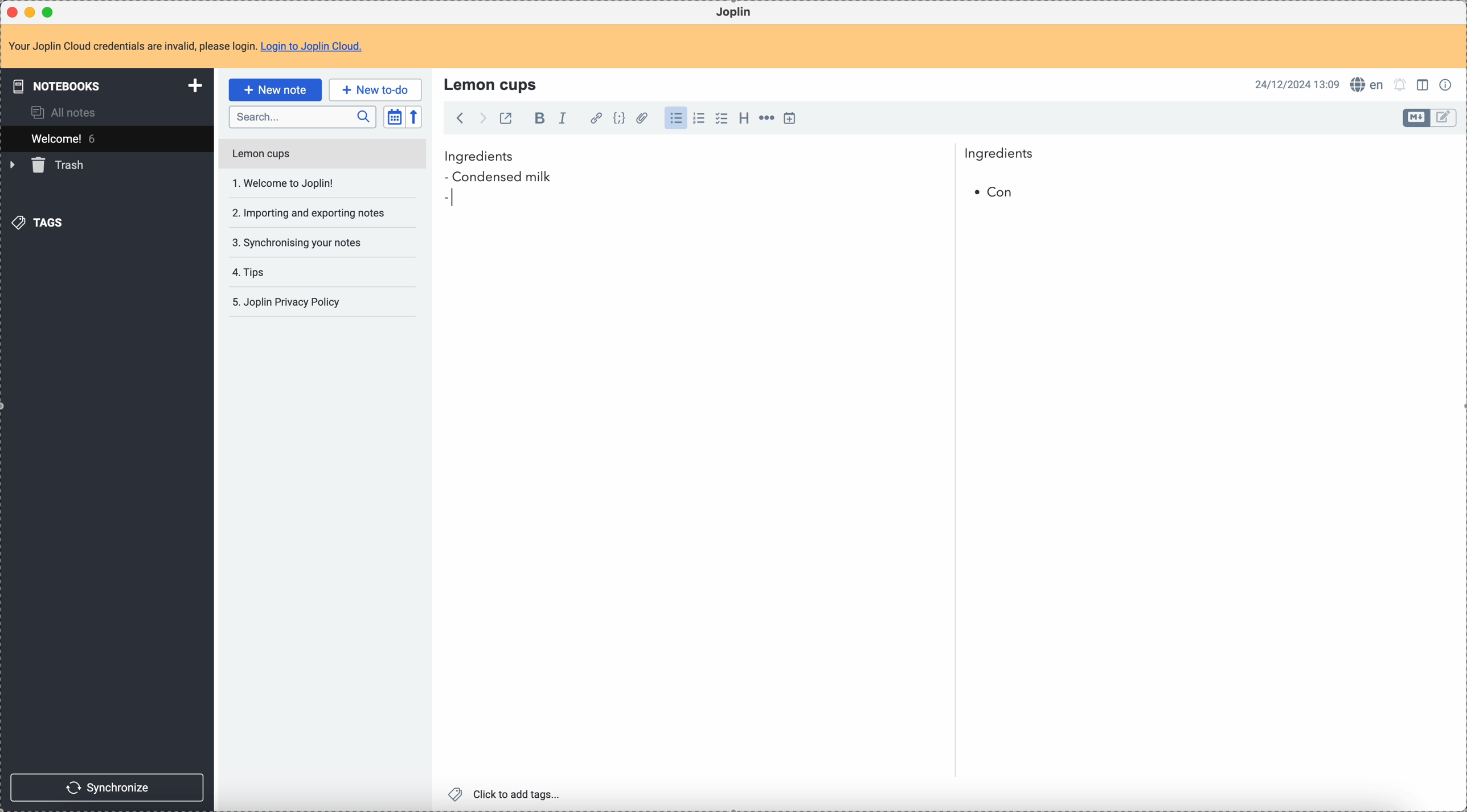 The width and height of the screenshot is (1467, 812). Describe the element at coordinates (562, 117) in the screenshot. I see `italic` at that location.